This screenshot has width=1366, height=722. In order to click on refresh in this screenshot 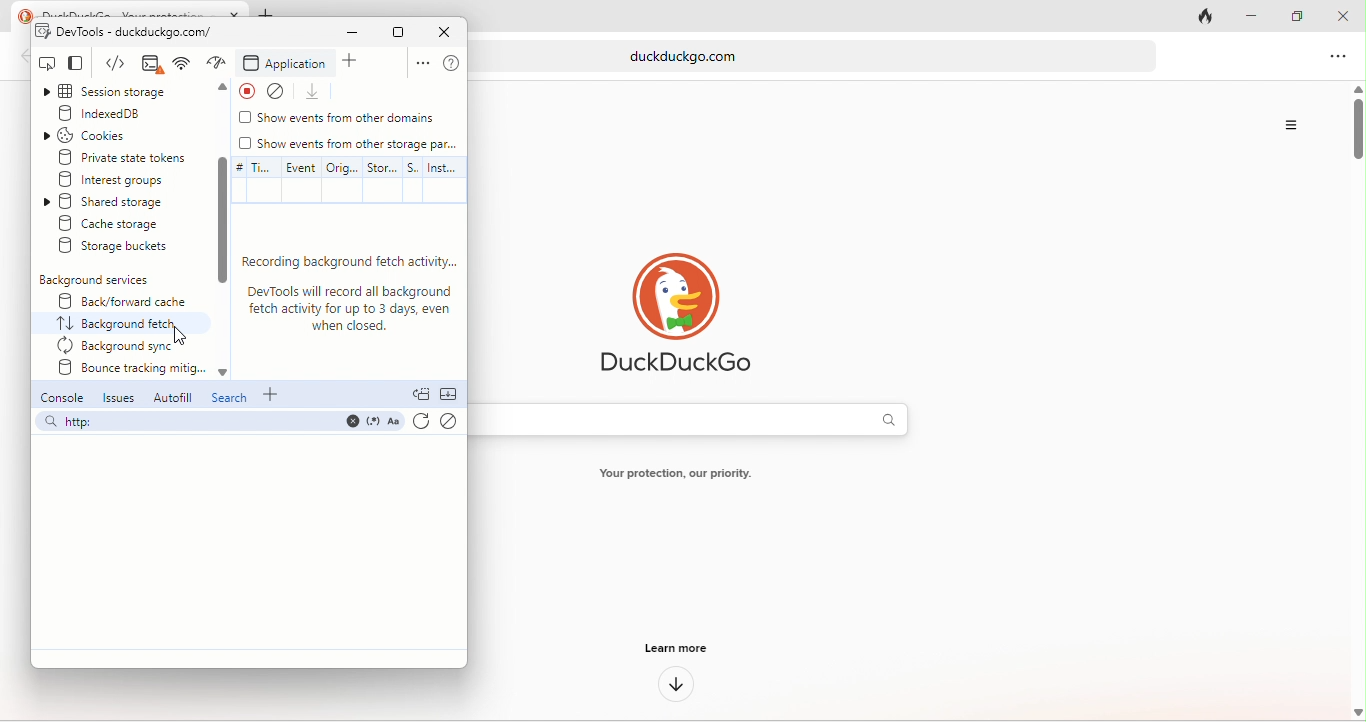, I will do `click(421, 424)`.